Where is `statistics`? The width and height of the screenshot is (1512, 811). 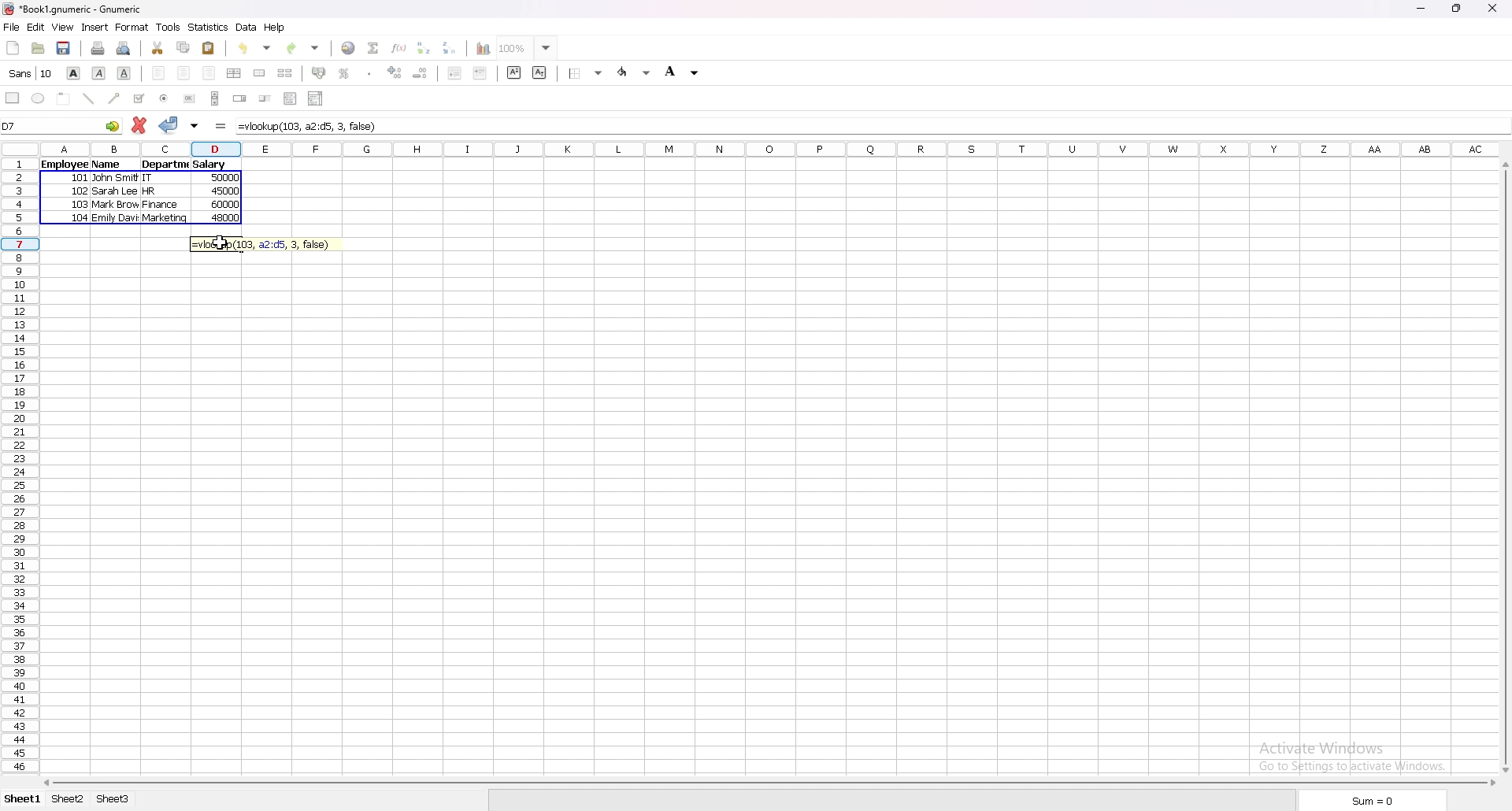 statistics is located at coordinates (208, 28).